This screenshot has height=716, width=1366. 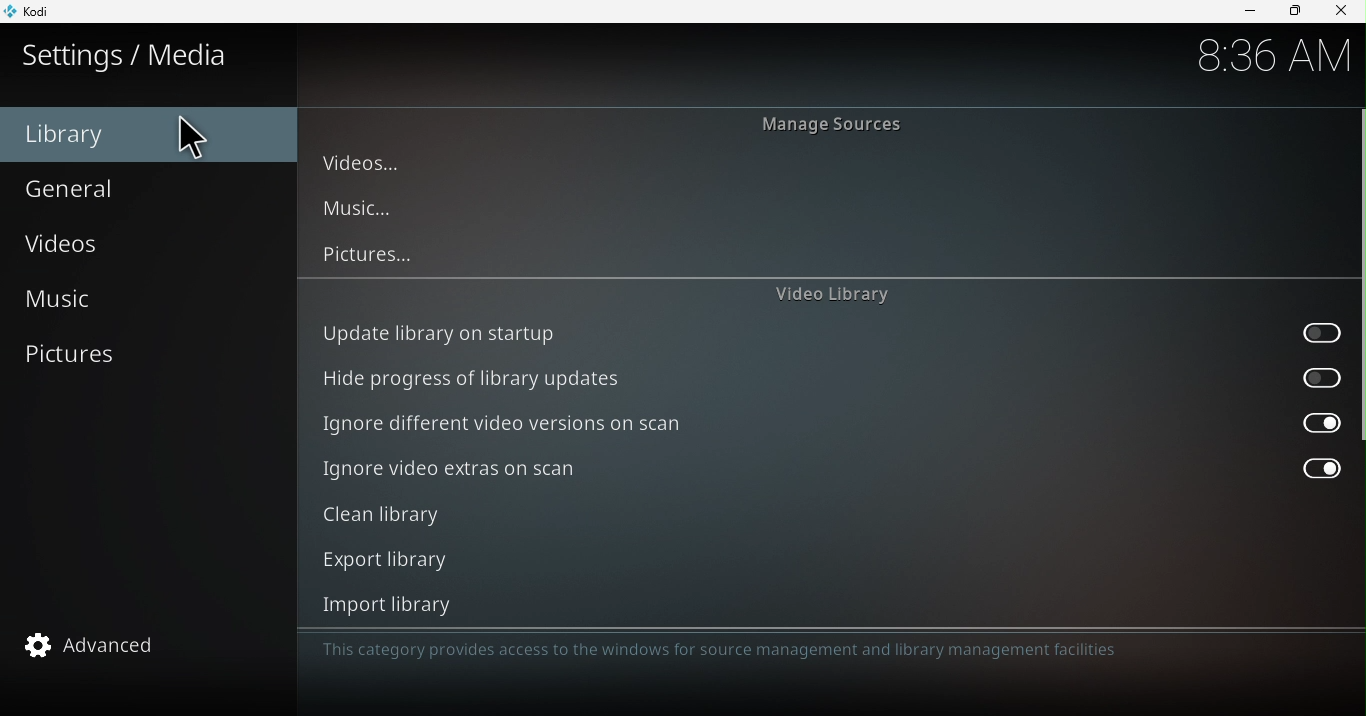 What do you see at coordinates (145, 134) in the screenshot?
I see `Library` at bounding box center [145, 134].